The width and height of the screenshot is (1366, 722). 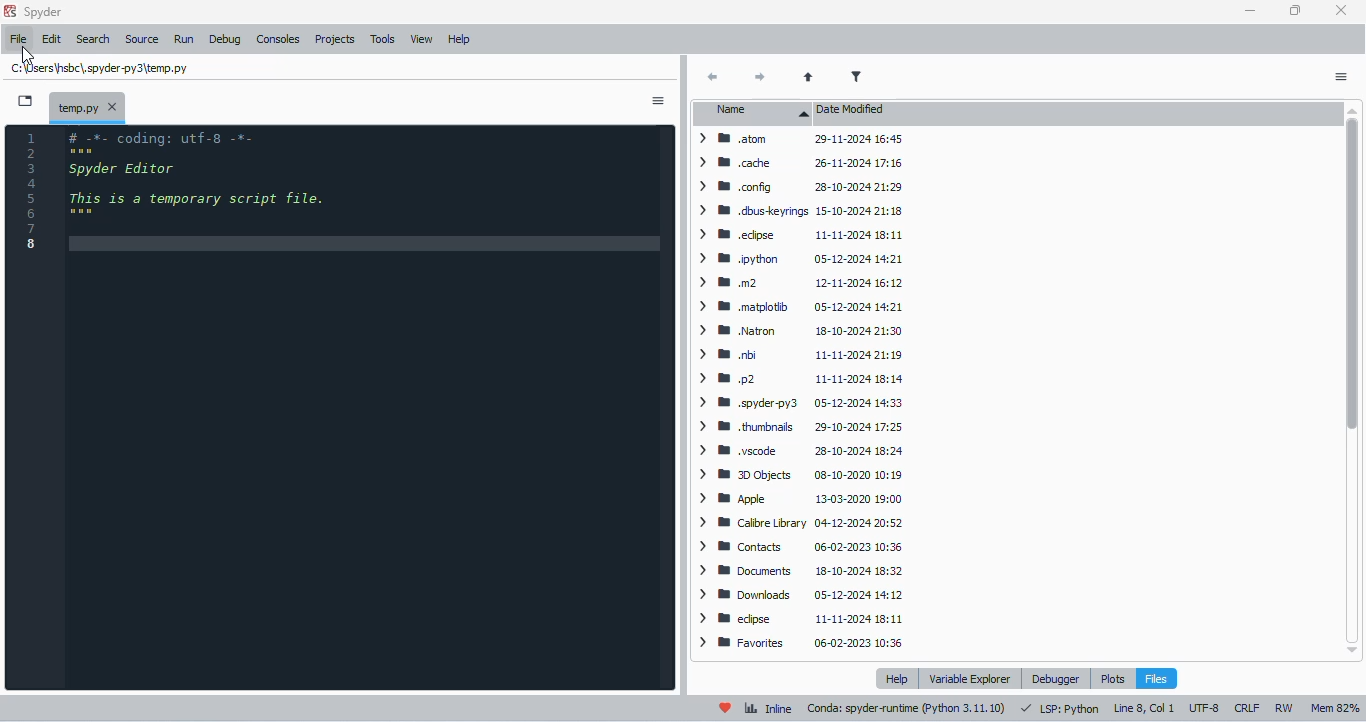 What do you see at coordinates (797, 522) in the screenshot?
I see `> W Caibre Library 04-12-2024 20:52` at bounding box center [797, 522].